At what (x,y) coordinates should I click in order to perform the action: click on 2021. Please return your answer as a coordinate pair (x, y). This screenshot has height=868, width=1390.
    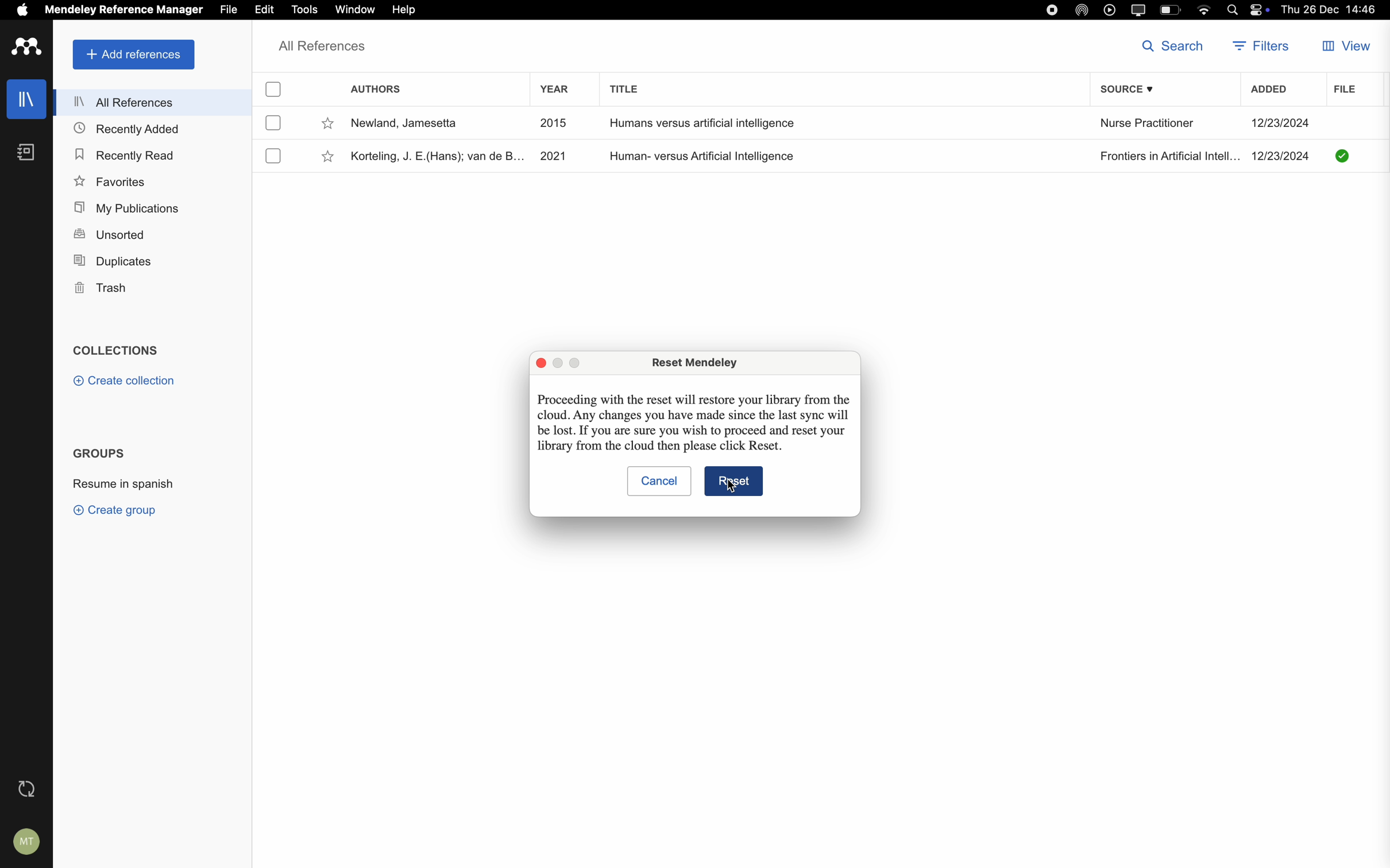
    Looking at the image, I should click on (553, 158).